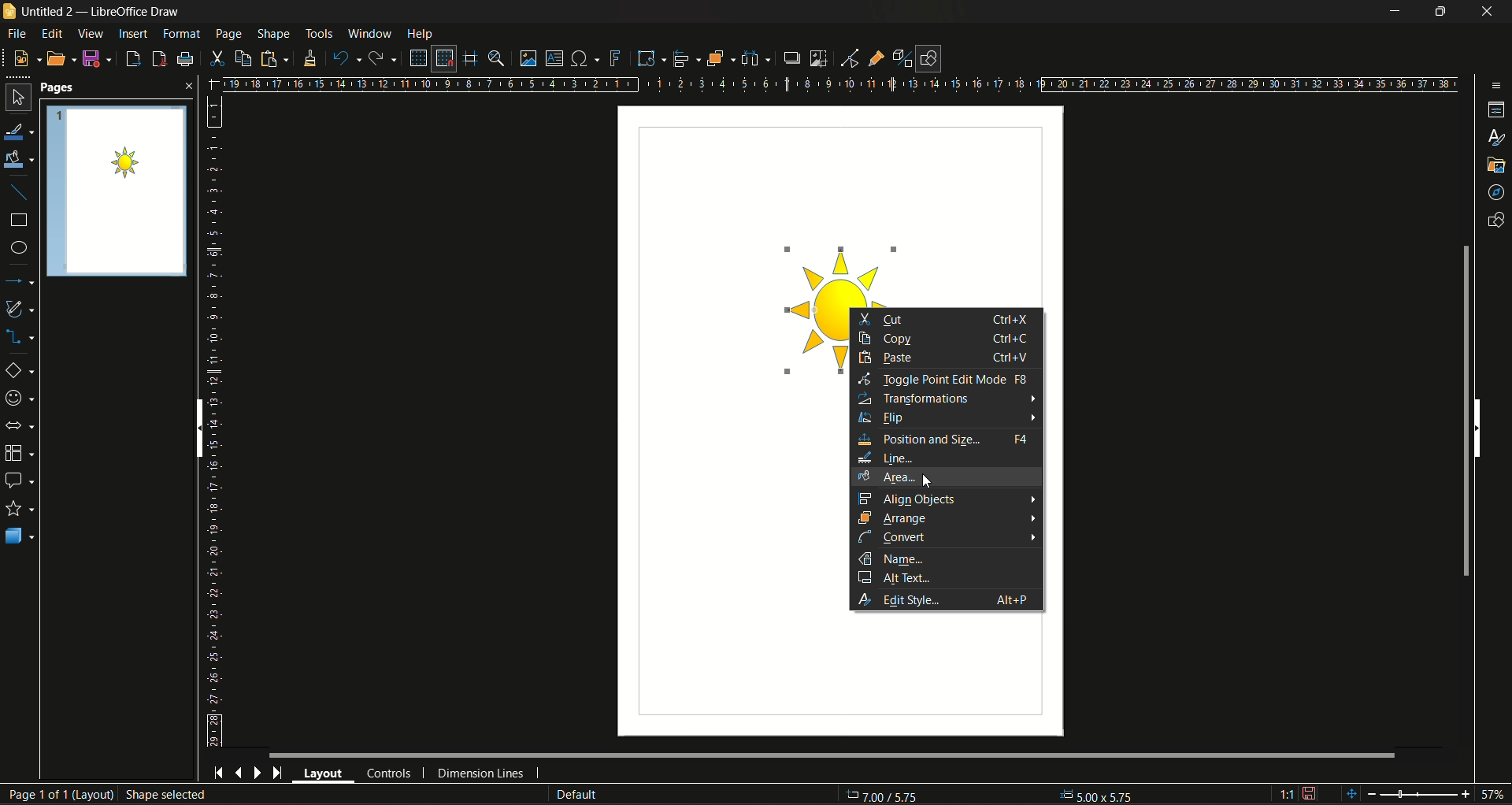 This screenshot has height=805, width=1512. Describe the element at coordinates (896, 557) in the screenshot. I see `name` at that location.